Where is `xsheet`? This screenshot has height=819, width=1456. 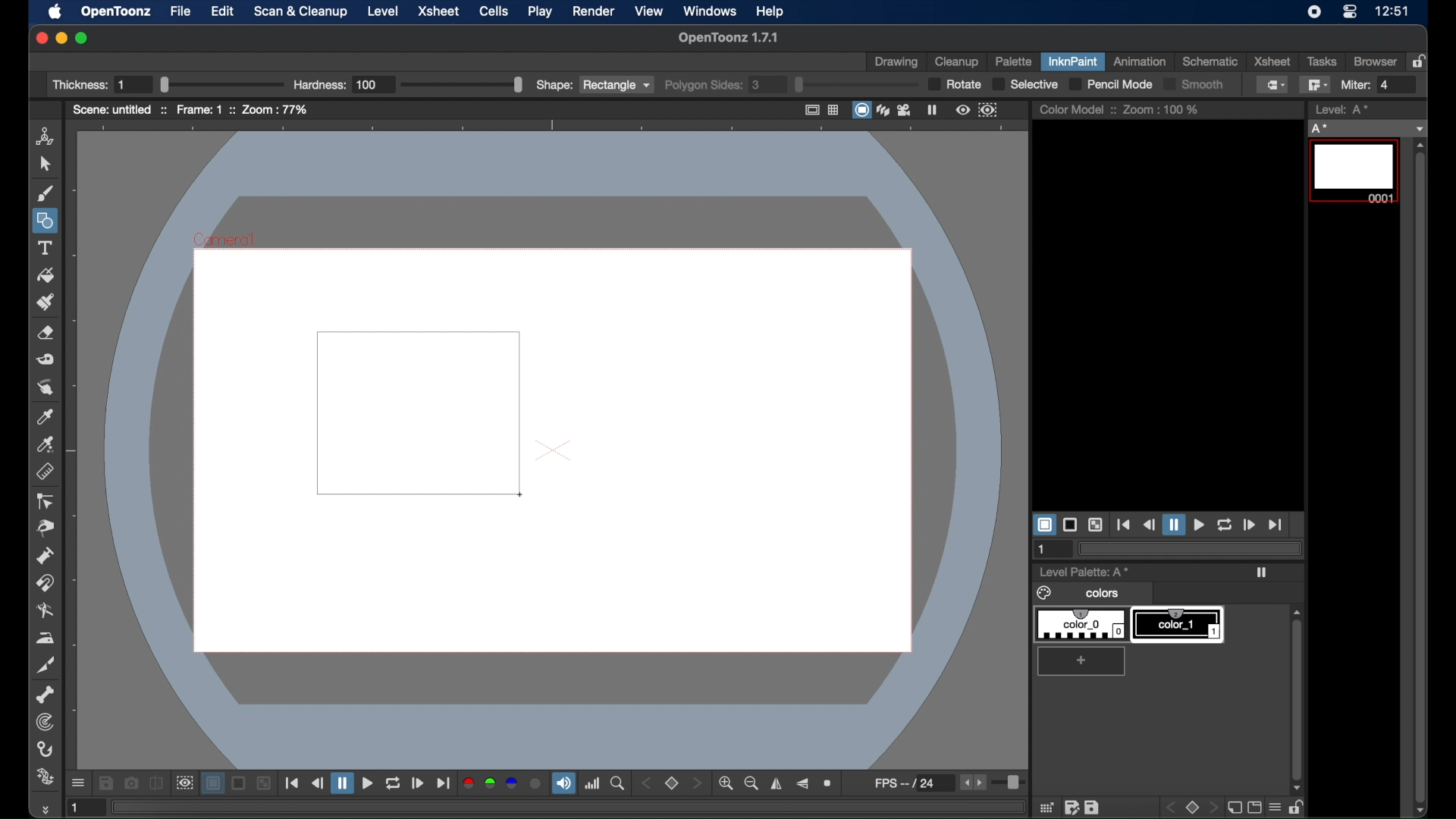
xsheet is located at coordinates (1271, 61).